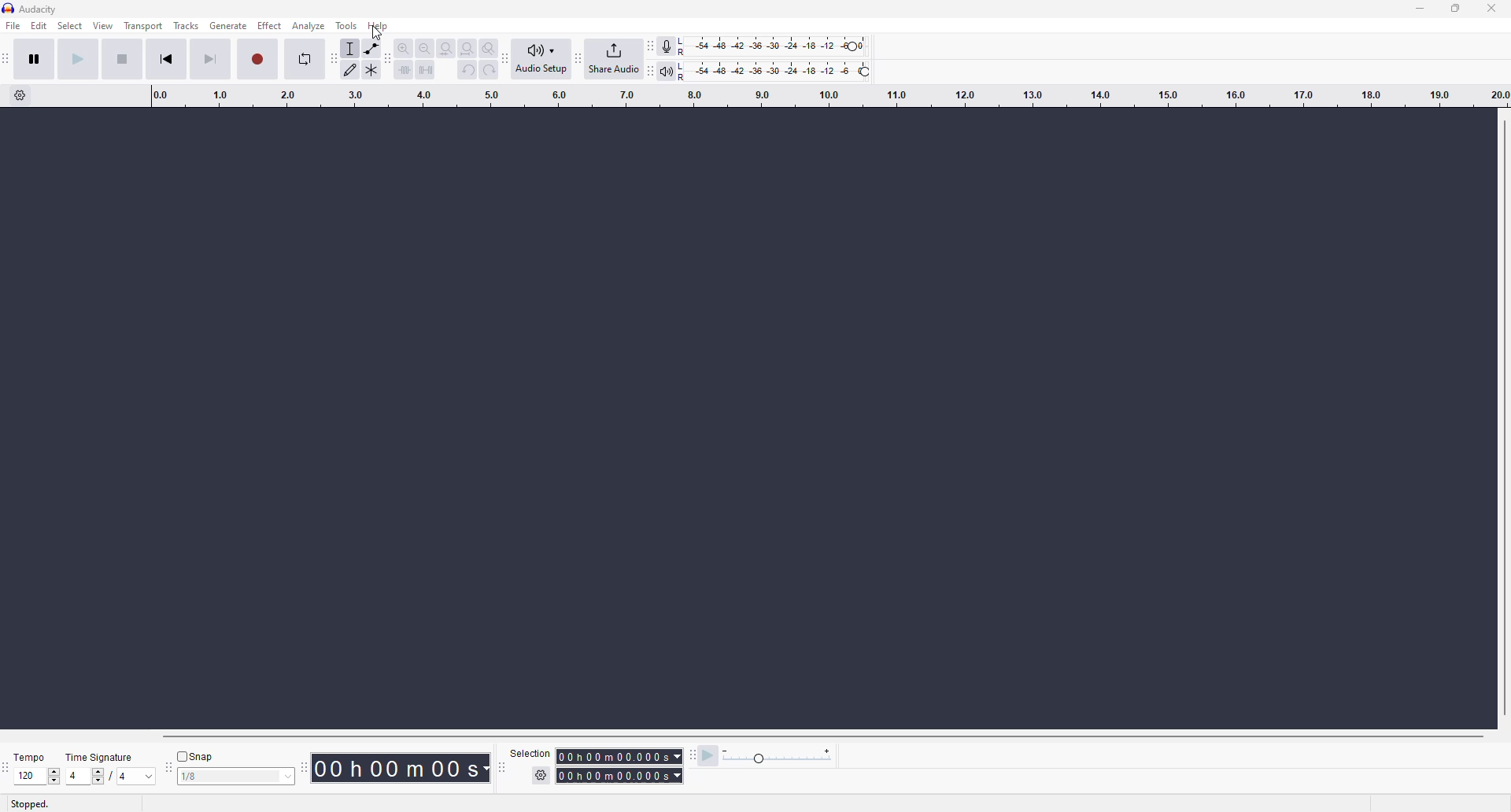  What do you see at coordinates (39, 28) in the screenshot?
I see `edit` at bounding box center [39, 28].